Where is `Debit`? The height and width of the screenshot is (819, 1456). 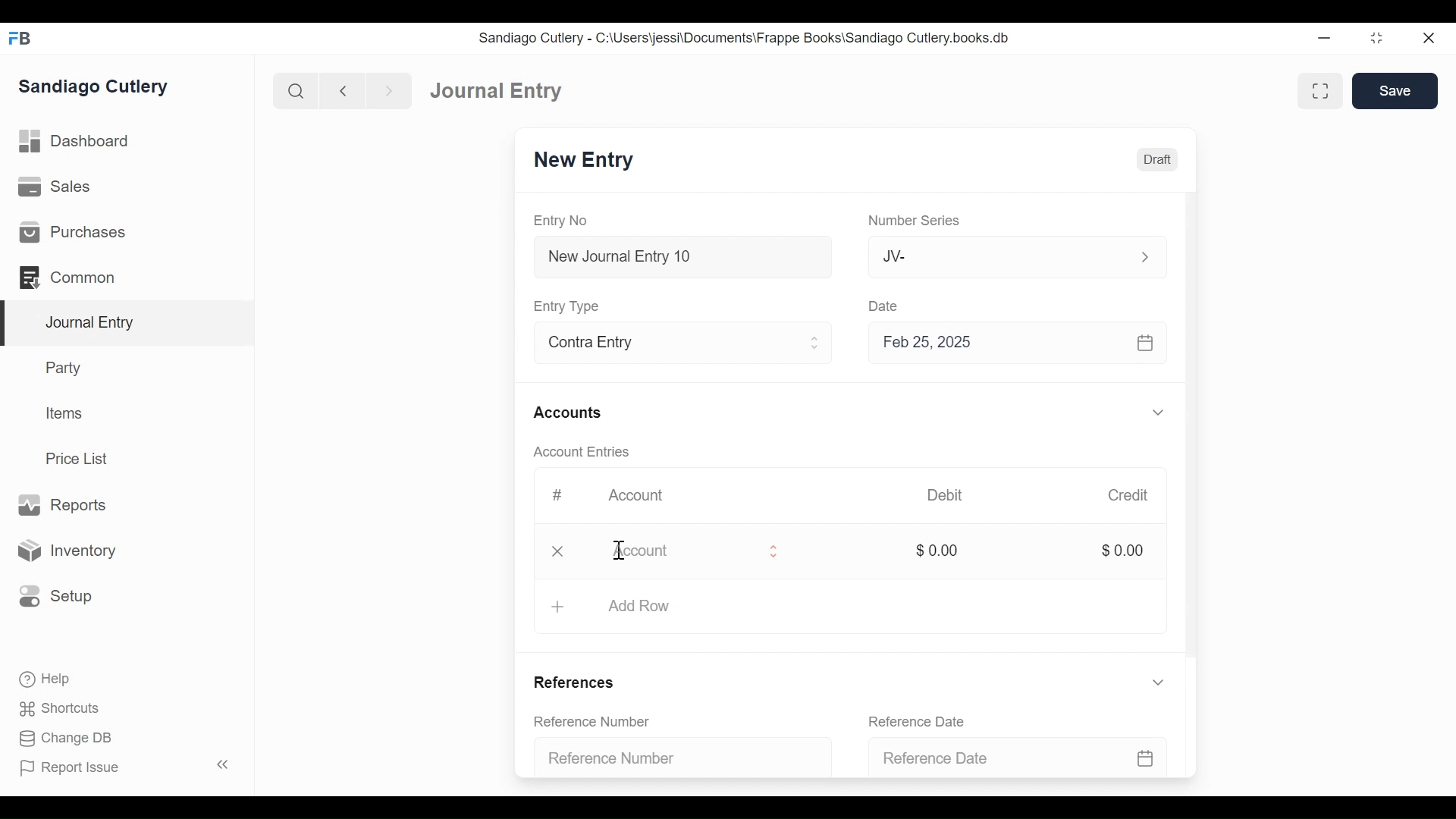
Debit is located at coordinates (951, 495).